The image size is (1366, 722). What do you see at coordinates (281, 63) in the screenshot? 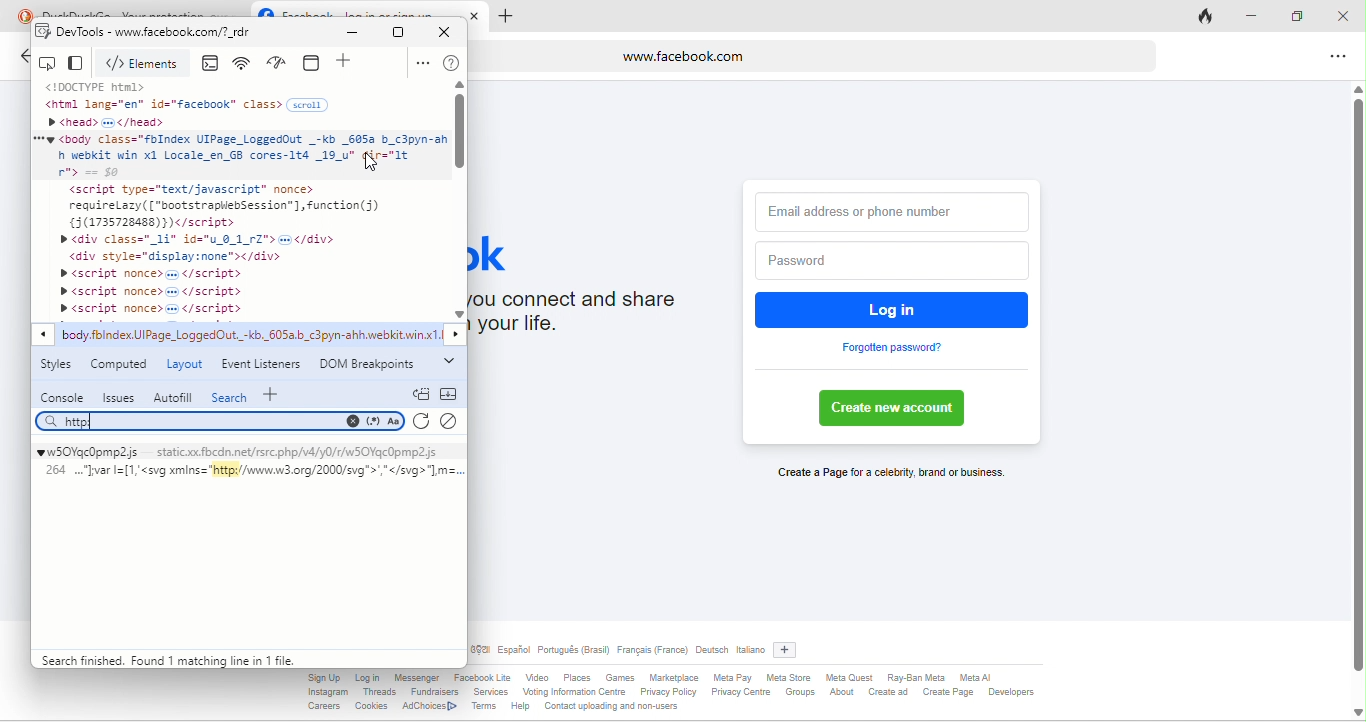
I see `performance` at bounding box center [281, 63].